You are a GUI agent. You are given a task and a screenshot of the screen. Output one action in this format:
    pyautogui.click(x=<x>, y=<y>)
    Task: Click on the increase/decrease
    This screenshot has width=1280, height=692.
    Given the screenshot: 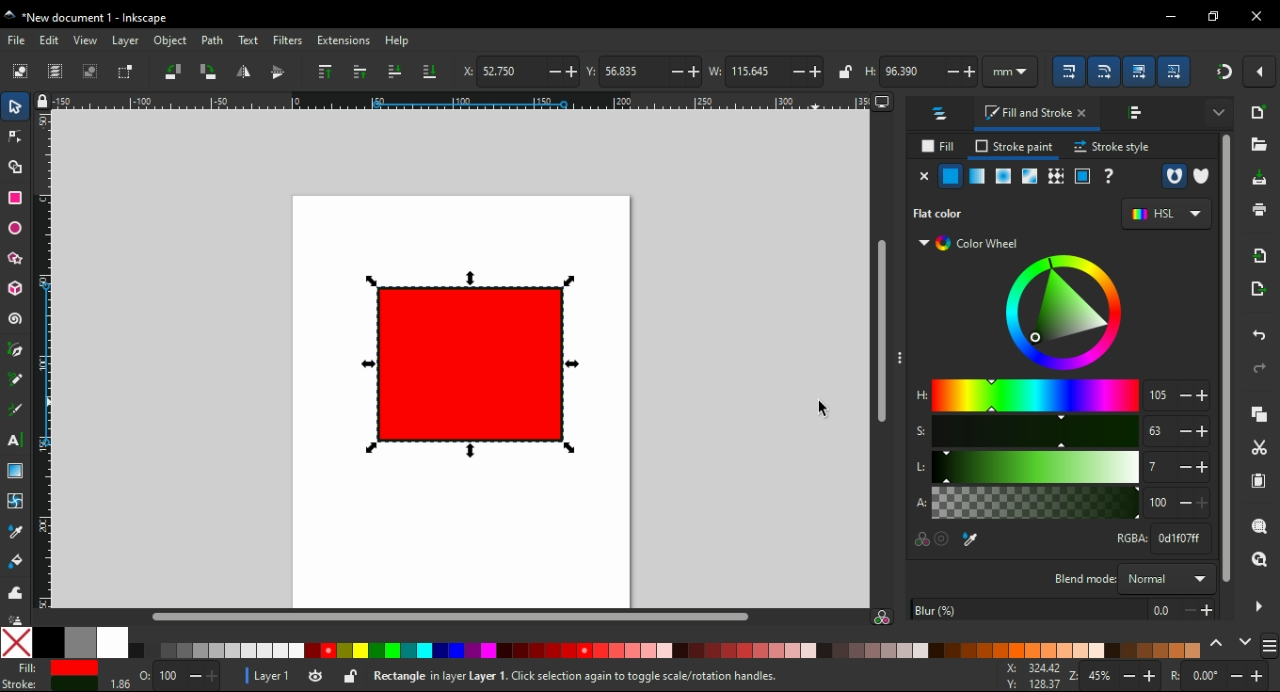 What is the action you would take?
    pyautogui.click(x=560, y=72)
    